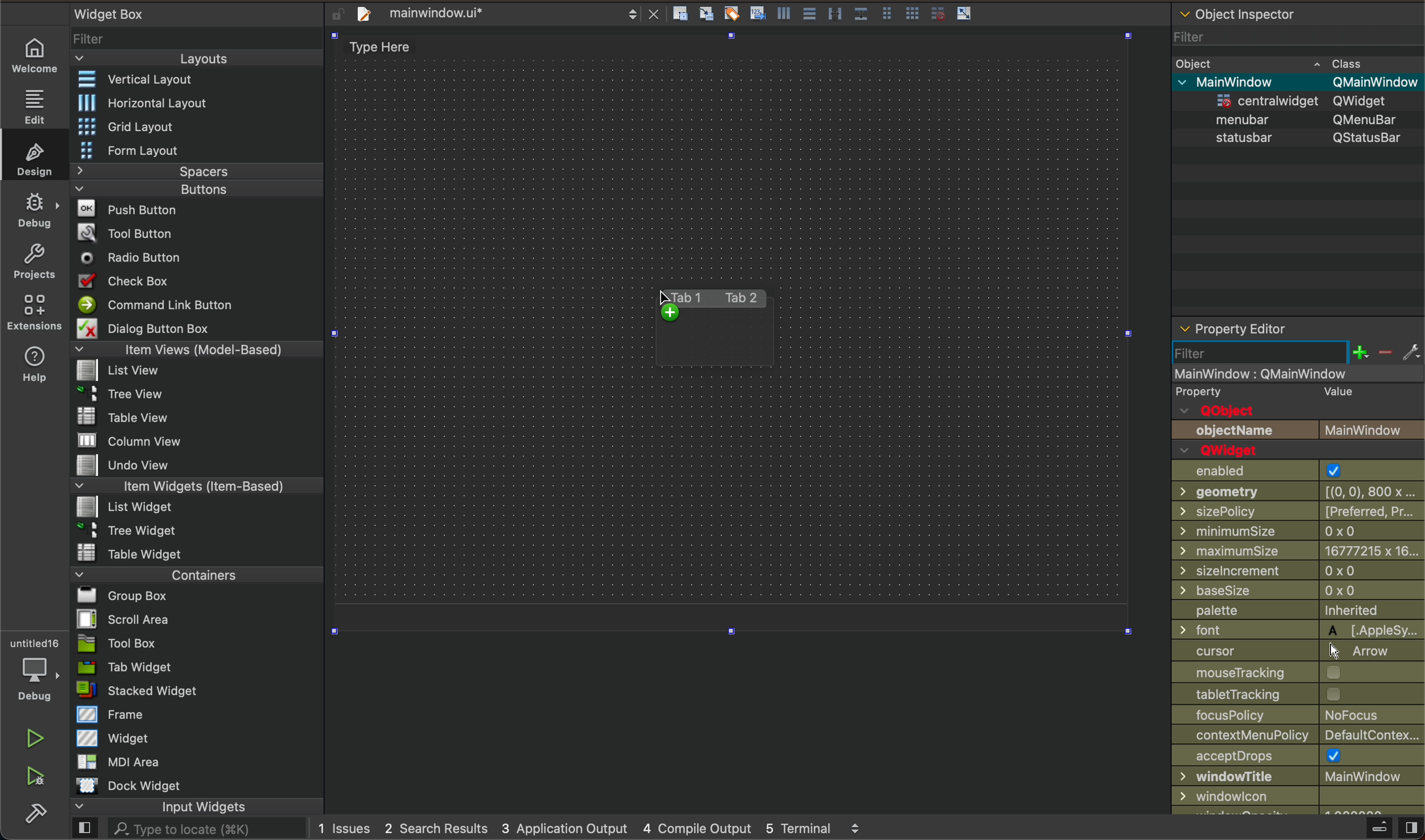  I want to click on size policy, so click(1299, 511).